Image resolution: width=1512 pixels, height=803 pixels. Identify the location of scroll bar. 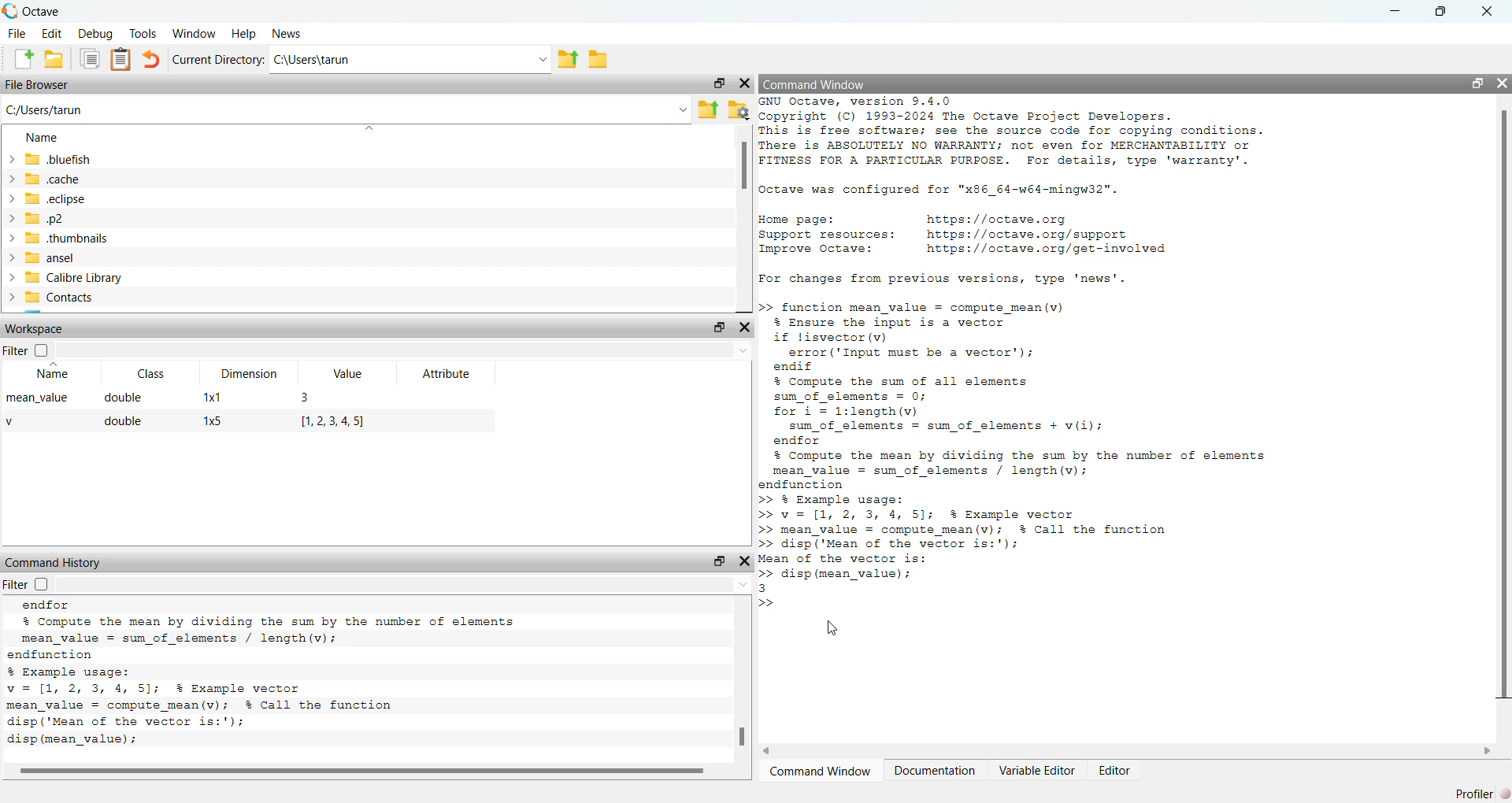
(744, 166).